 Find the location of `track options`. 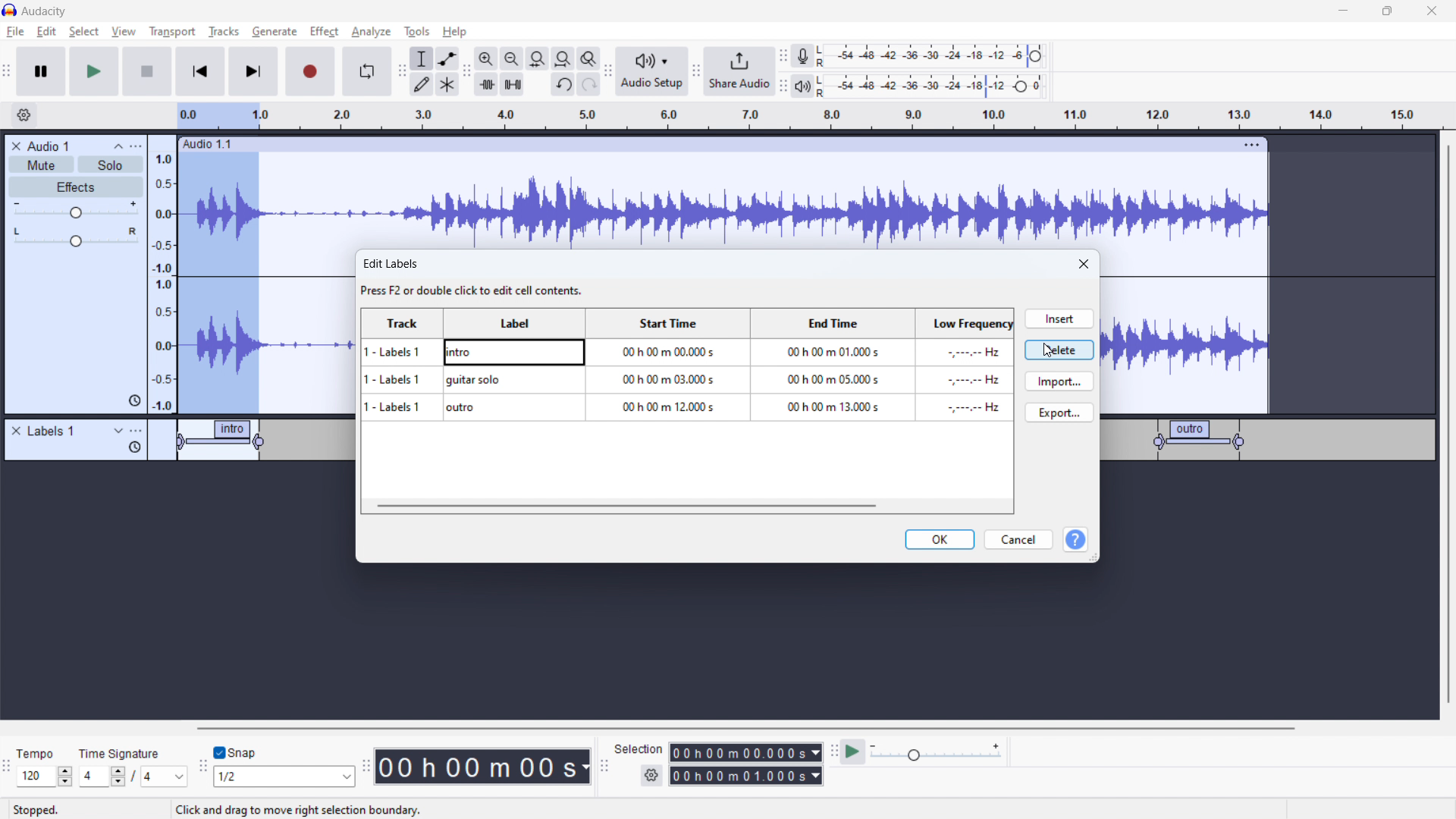

track options is located at coordinates (1254, 143).